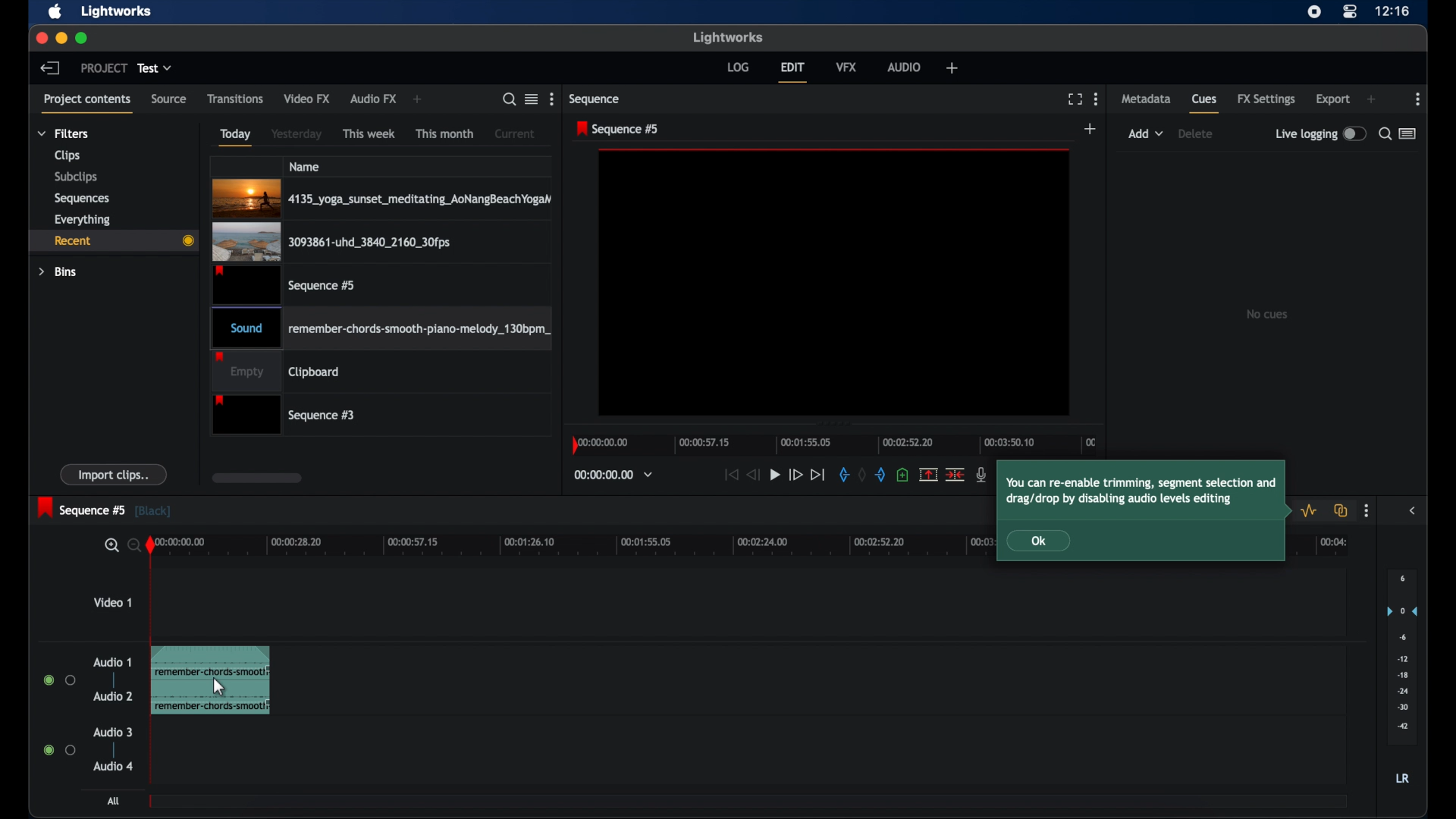 The image size is (1456, 819). I want to click on name, so click(305, 166).